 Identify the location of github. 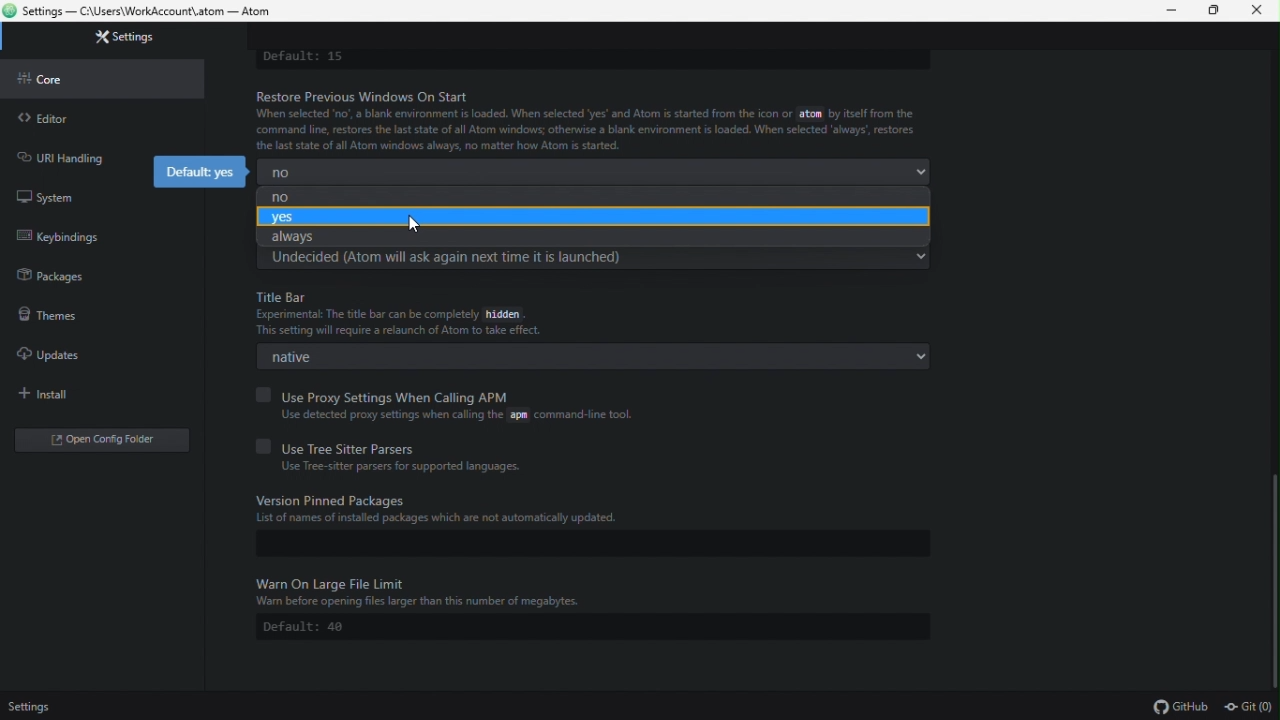
(1179, 706).